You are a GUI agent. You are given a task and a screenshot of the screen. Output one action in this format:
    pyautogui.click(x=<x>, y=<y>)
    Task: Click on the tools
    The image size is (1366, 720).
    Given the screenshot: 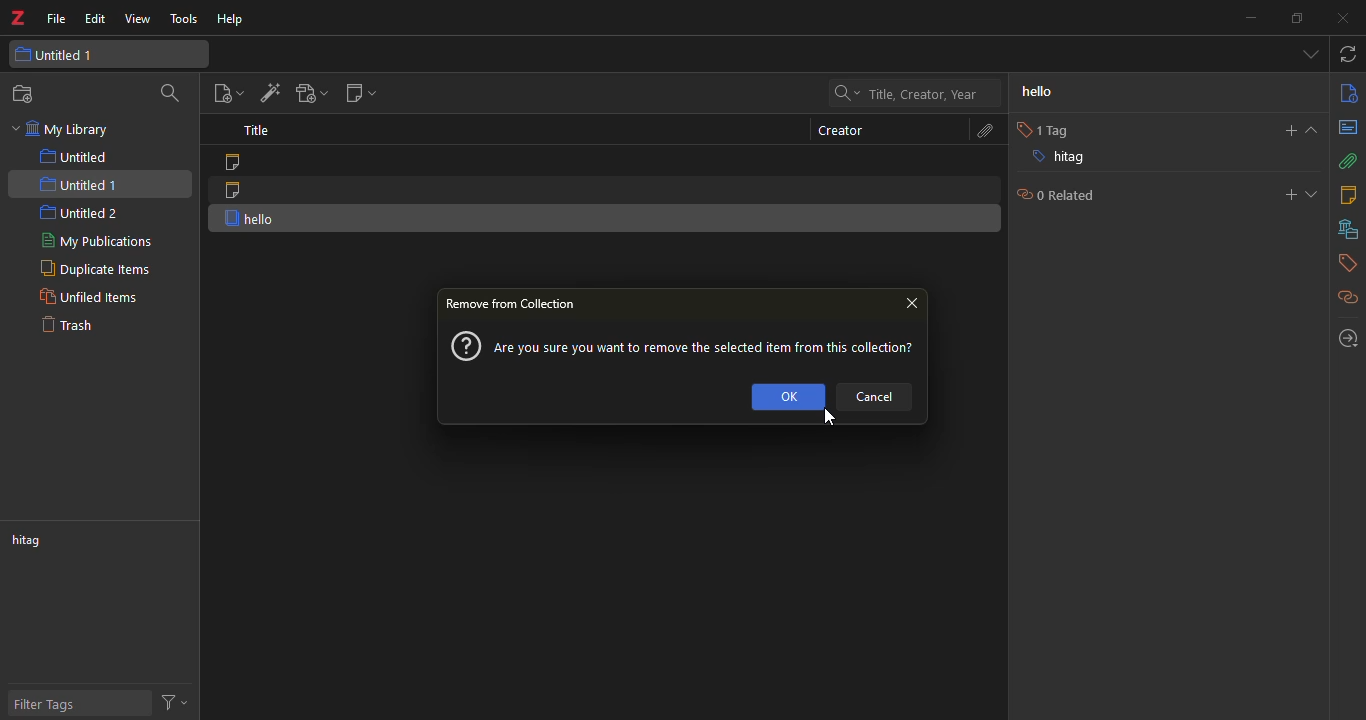 What is the action you would take?
    pyautogui.click(x=179, y=18)
    